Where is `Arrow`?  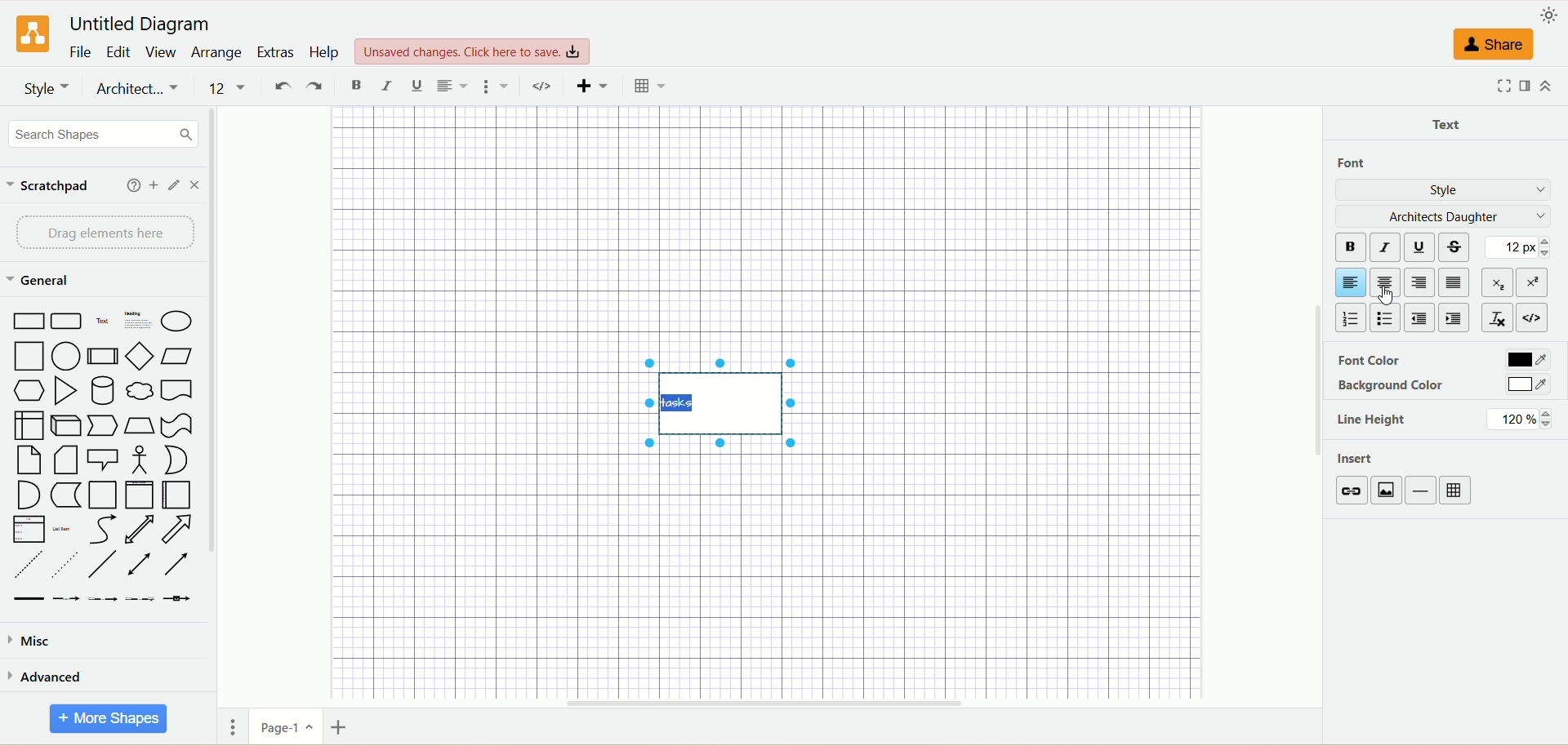 Arrow is located at coordinates (178, 529).